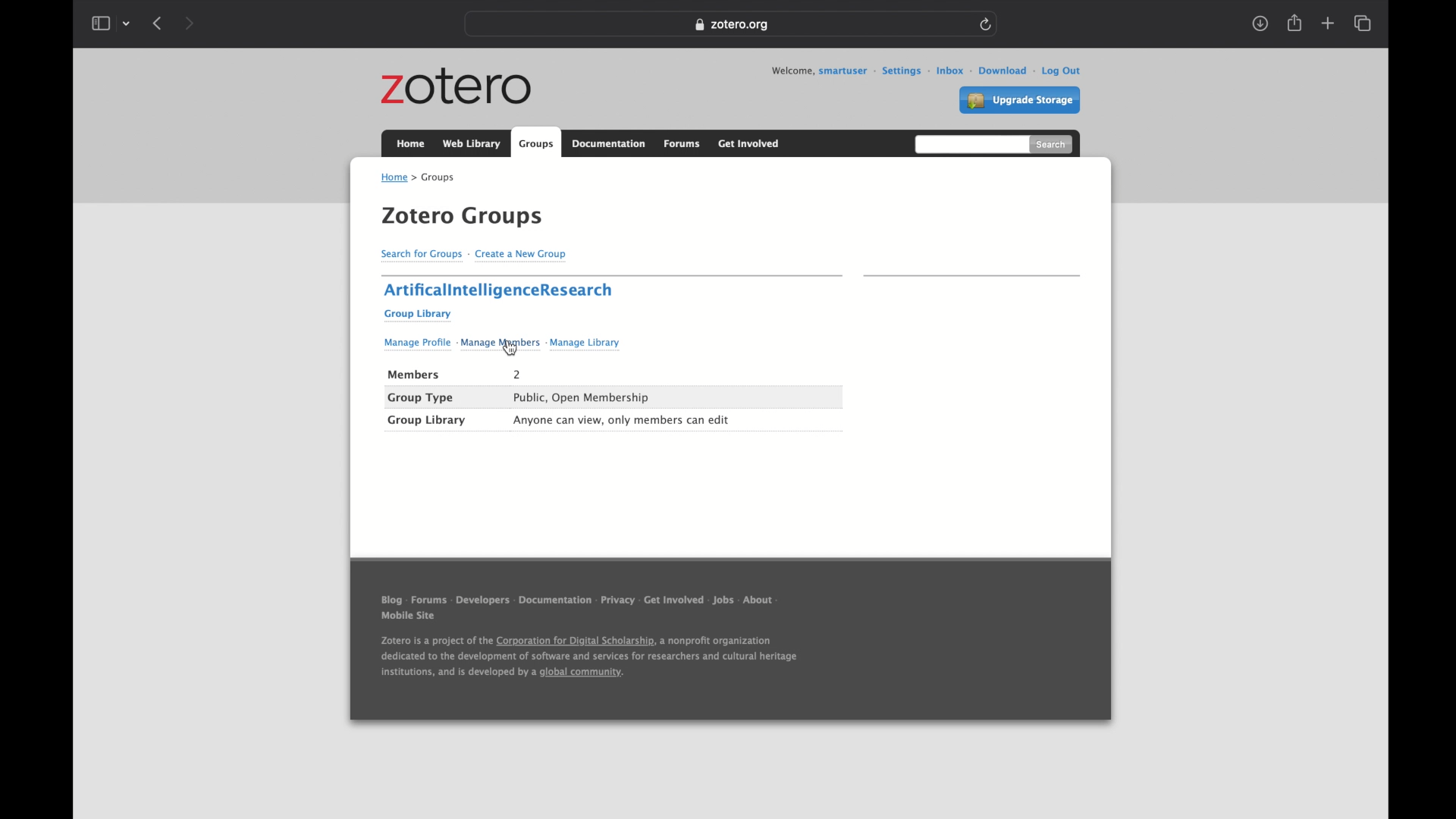 The width and height of the screenshot is (1456, 819). I want to click on developers, so click(483, 601).